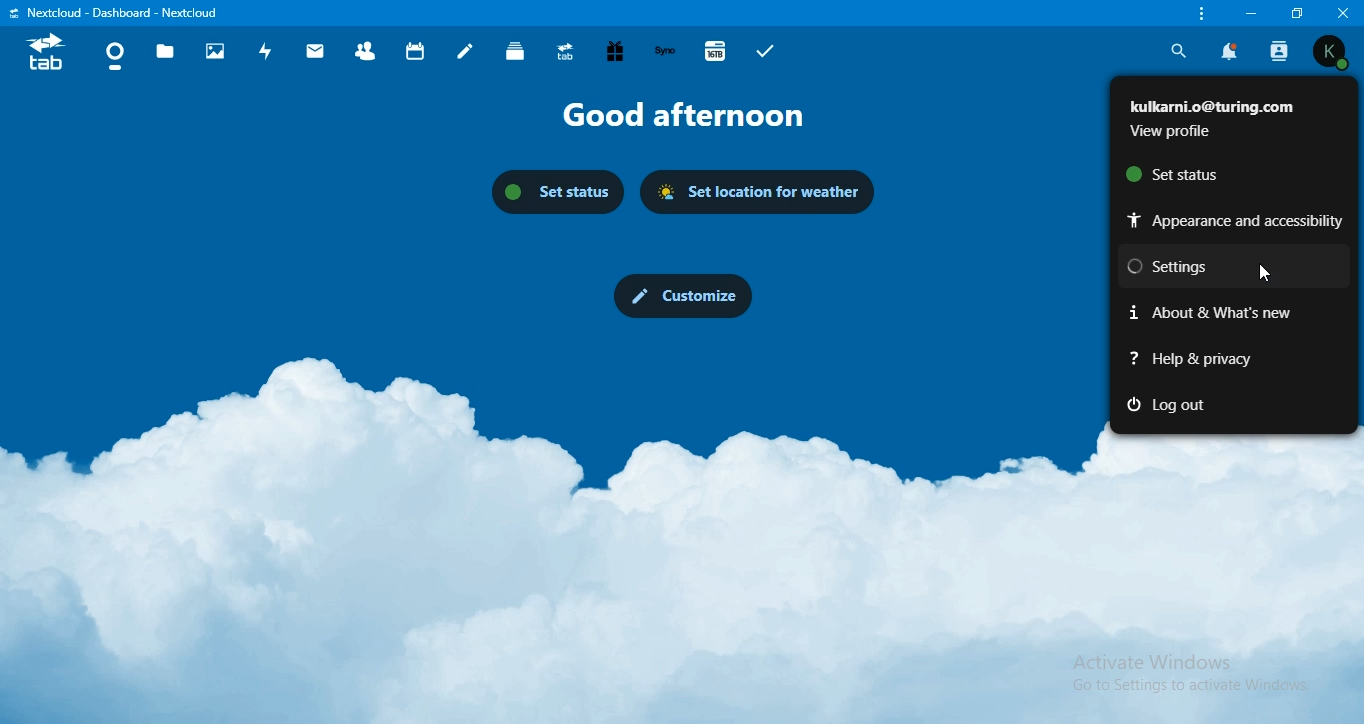 The width and height of the screenshot is (1364, 724). Describe the element at coordinates (1292, 12) in the screenshot. I see `restore window` at that location.